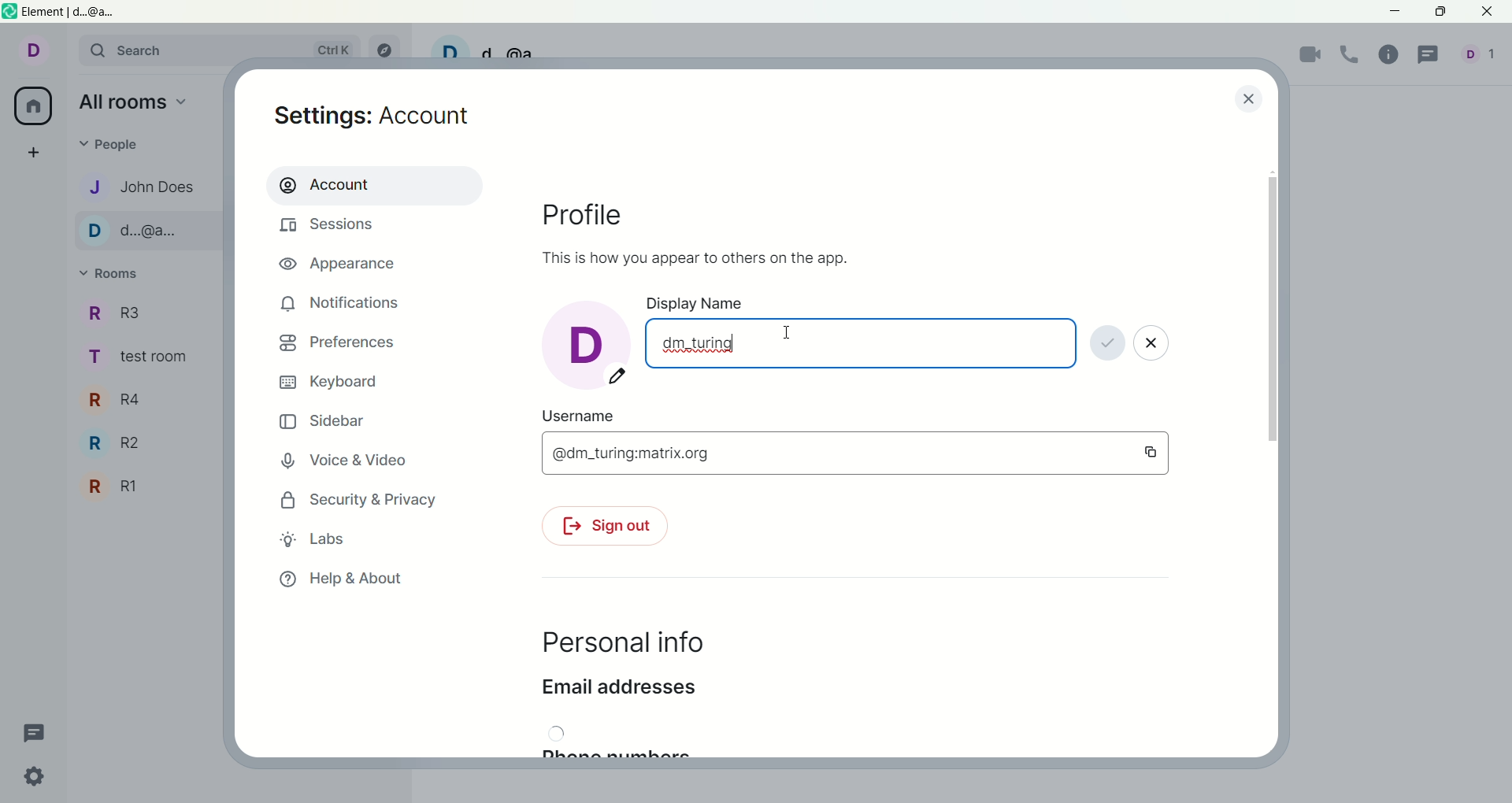 Image resolution: width=1512 pixels, height=803 pixels. Describe the element at coordinates (715, 303) in the screenshot. I see `display name` at that location.